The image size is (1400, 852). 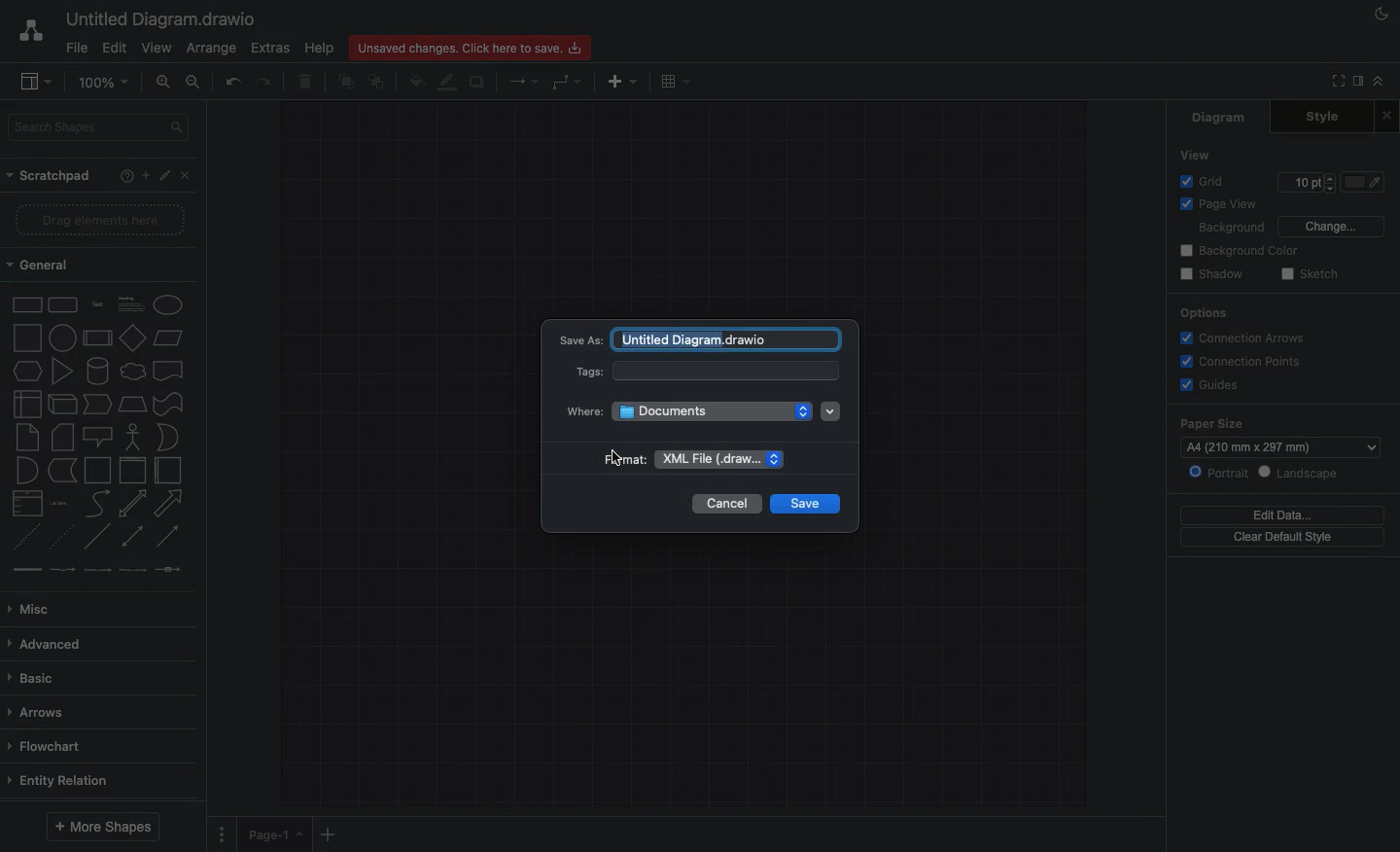 I want to click on Where, so click(x=687, y=411).